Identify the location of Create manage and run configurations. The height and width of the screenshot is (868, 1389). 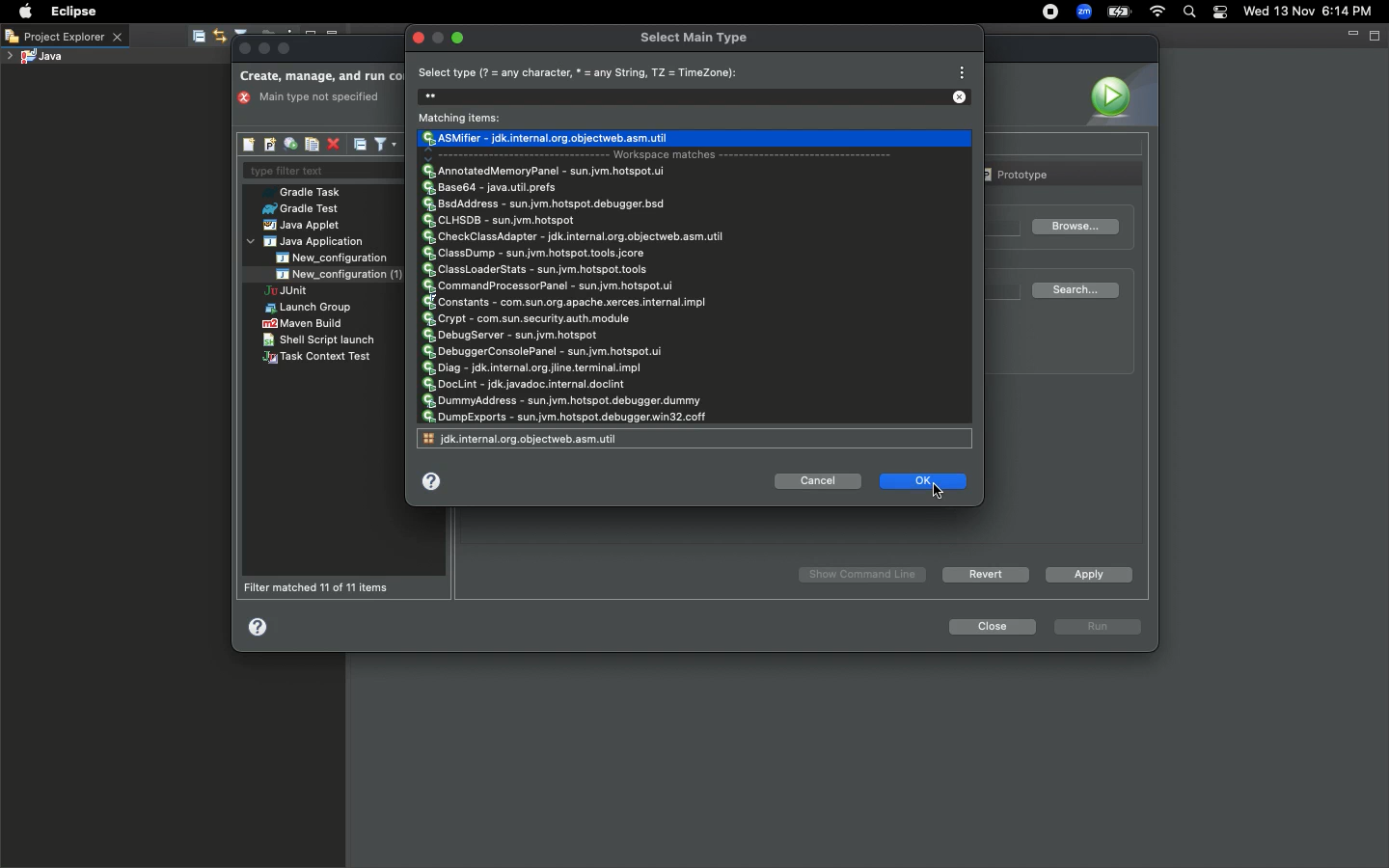
(321, 77).